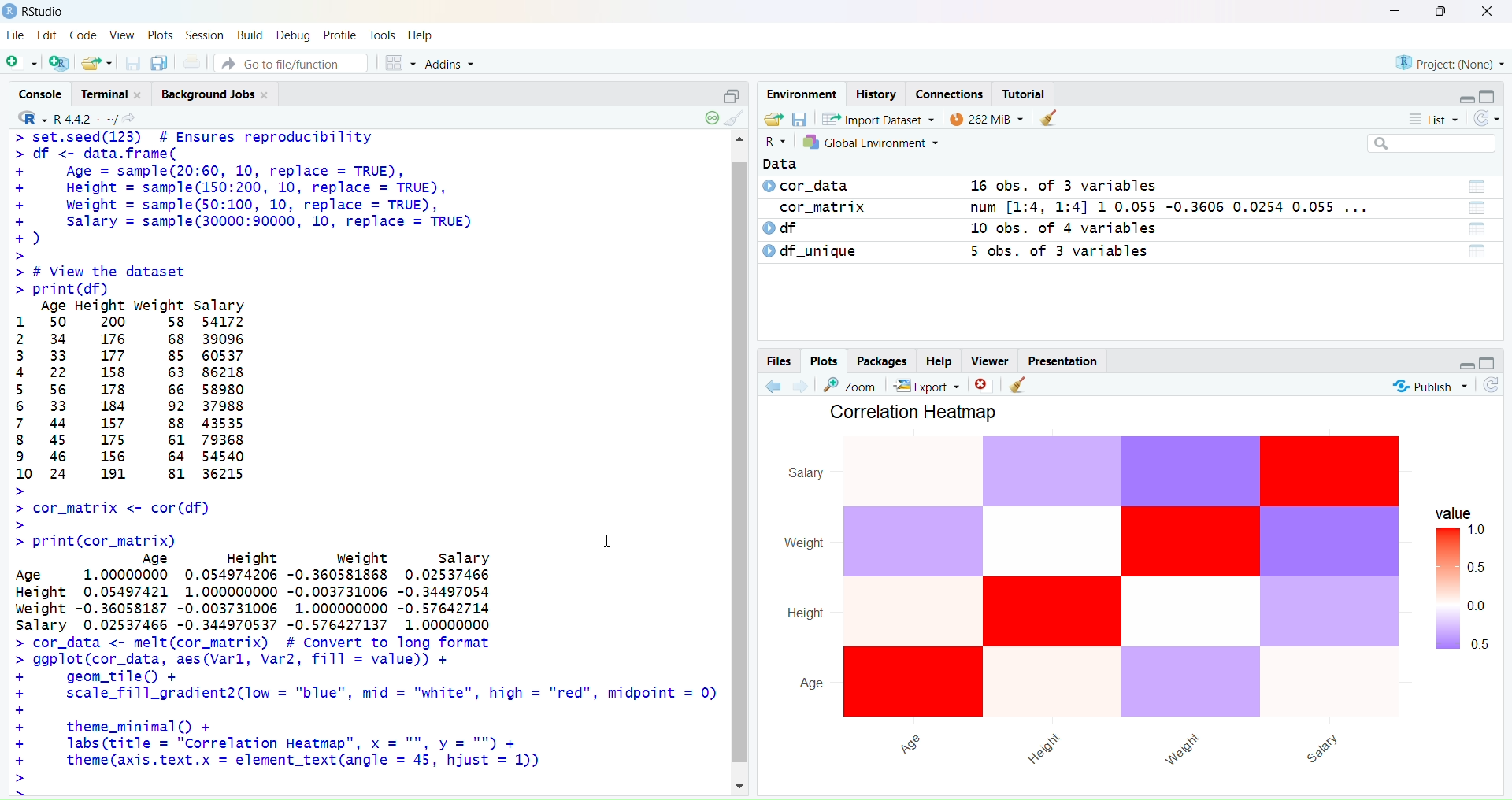 The width and height of the screenshot is (1512, 800). I want to click on Show in new window, so click(135, 118).